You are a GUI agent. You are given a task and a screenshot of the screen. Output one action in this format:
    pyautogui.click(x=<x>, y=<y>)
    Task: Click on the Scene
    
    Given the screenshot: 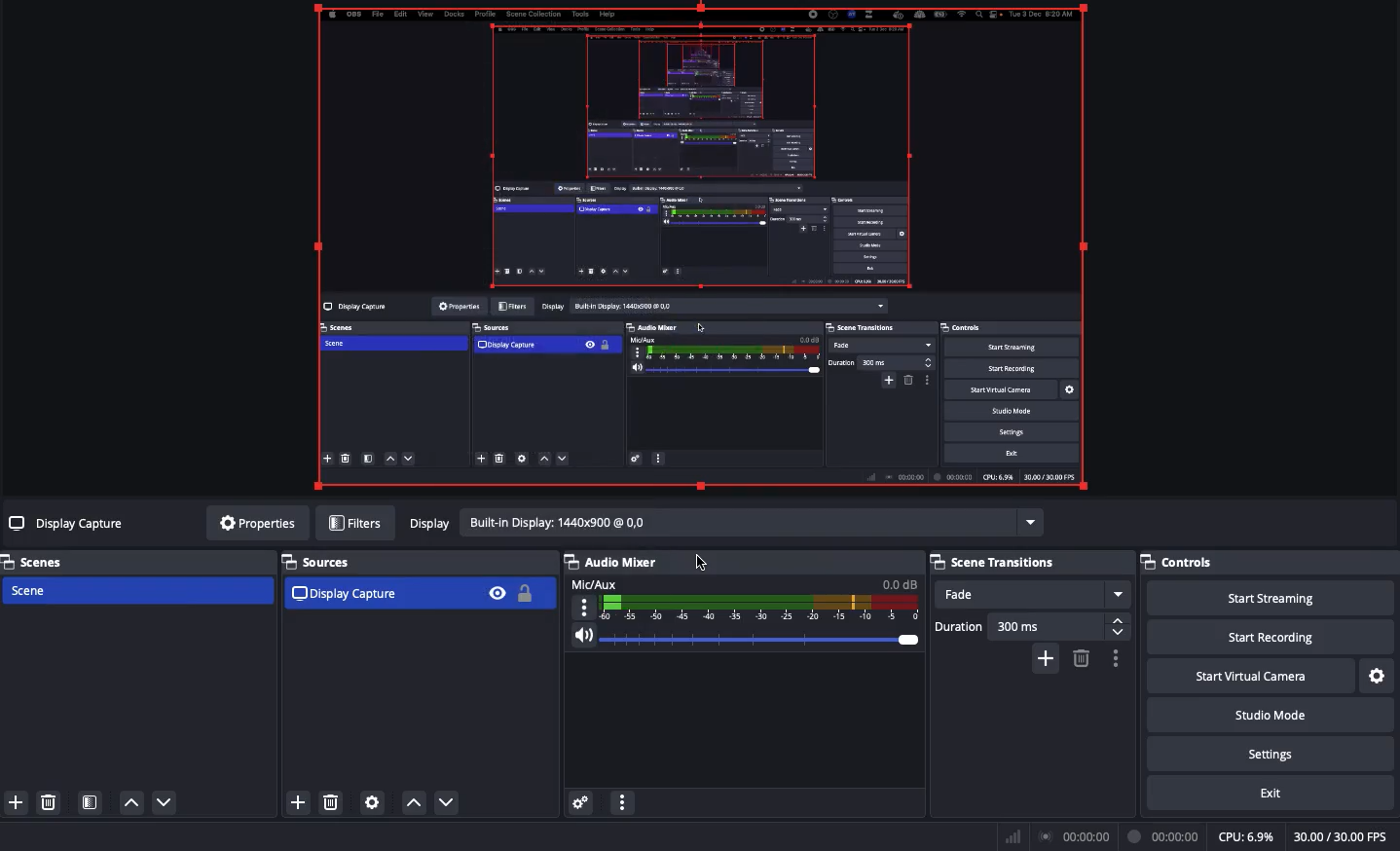 What is the action you would take?
    pyautogui.click(x=136, y=592)
    